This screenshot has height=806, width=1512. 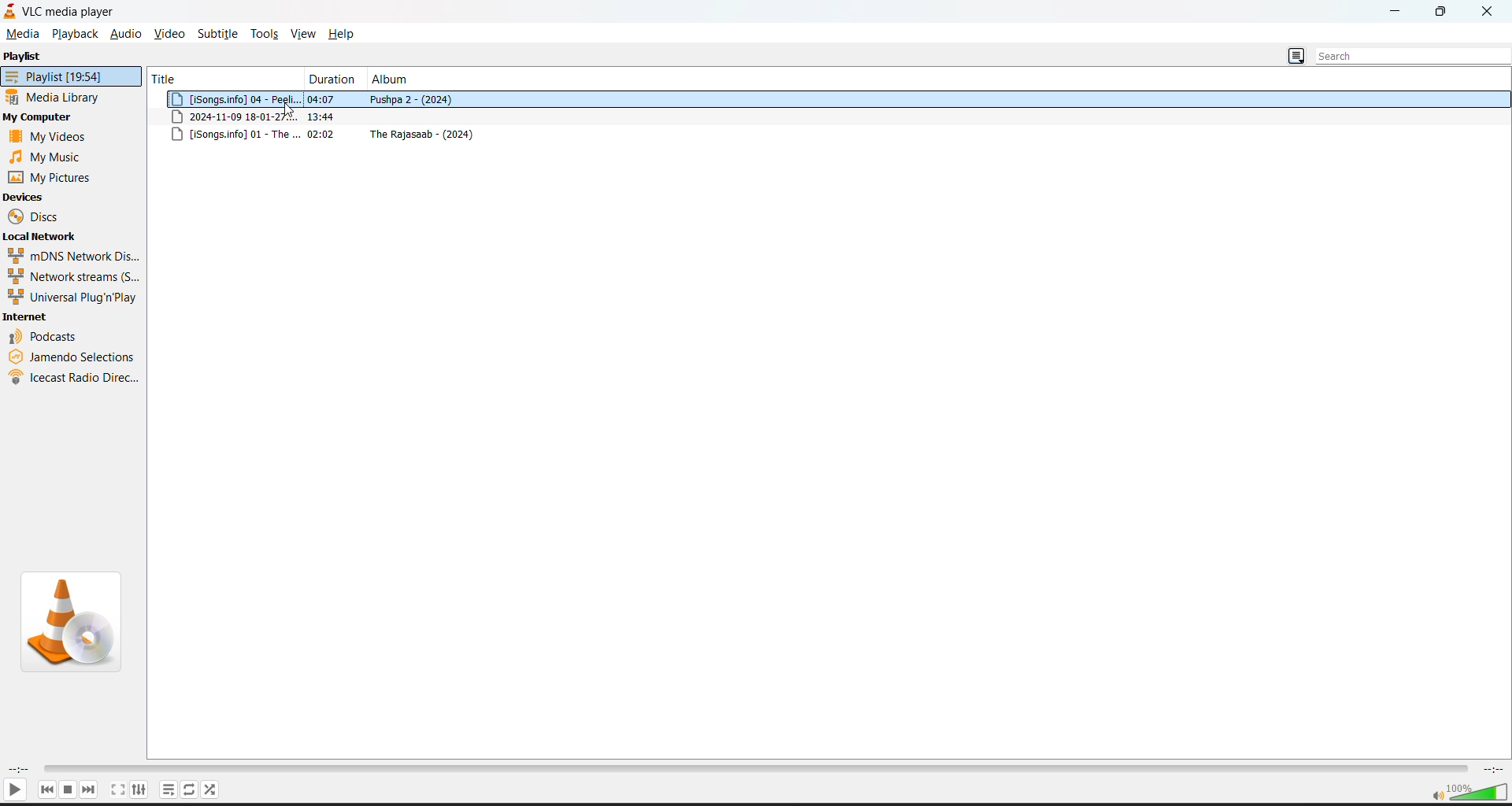 What do you see at coordinates (392, 79) in the screenshot?
I see `album` at bounding box center [392, 79].